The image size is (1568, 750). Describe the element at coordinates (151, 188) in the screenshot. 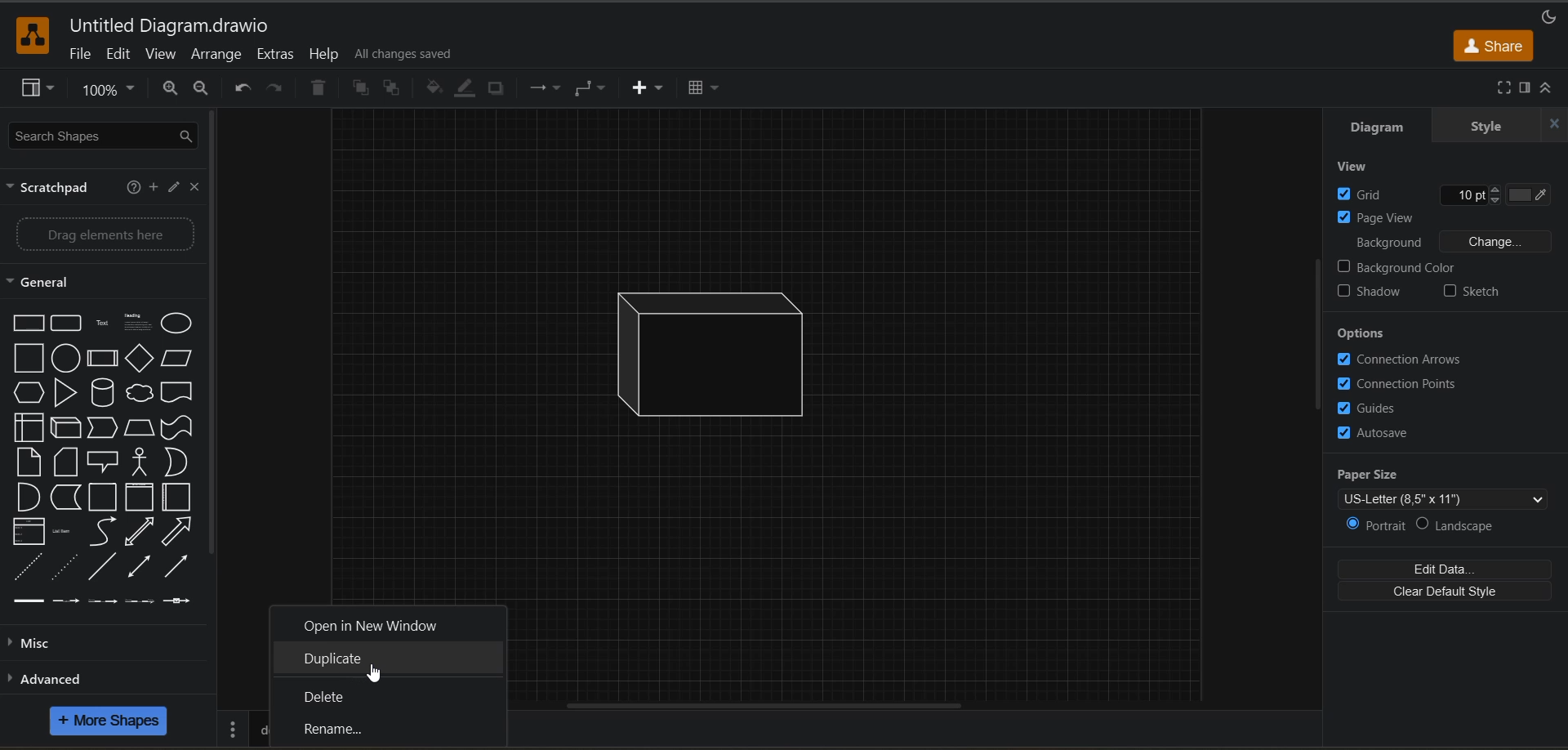

I see `add` at that location.